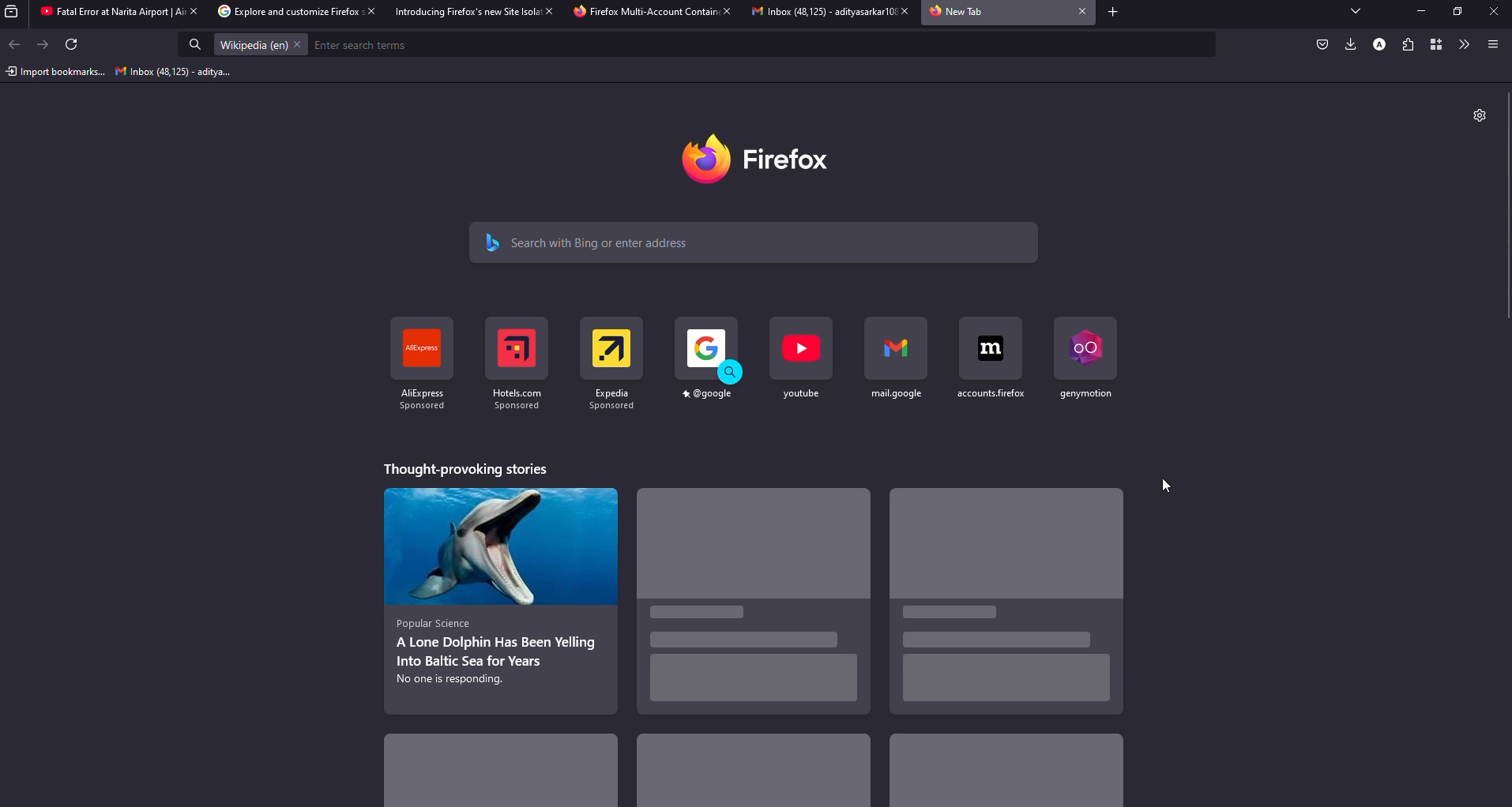  Describe the element at coordinates (644, 13) in the screenshot. I see `tab` at that location.